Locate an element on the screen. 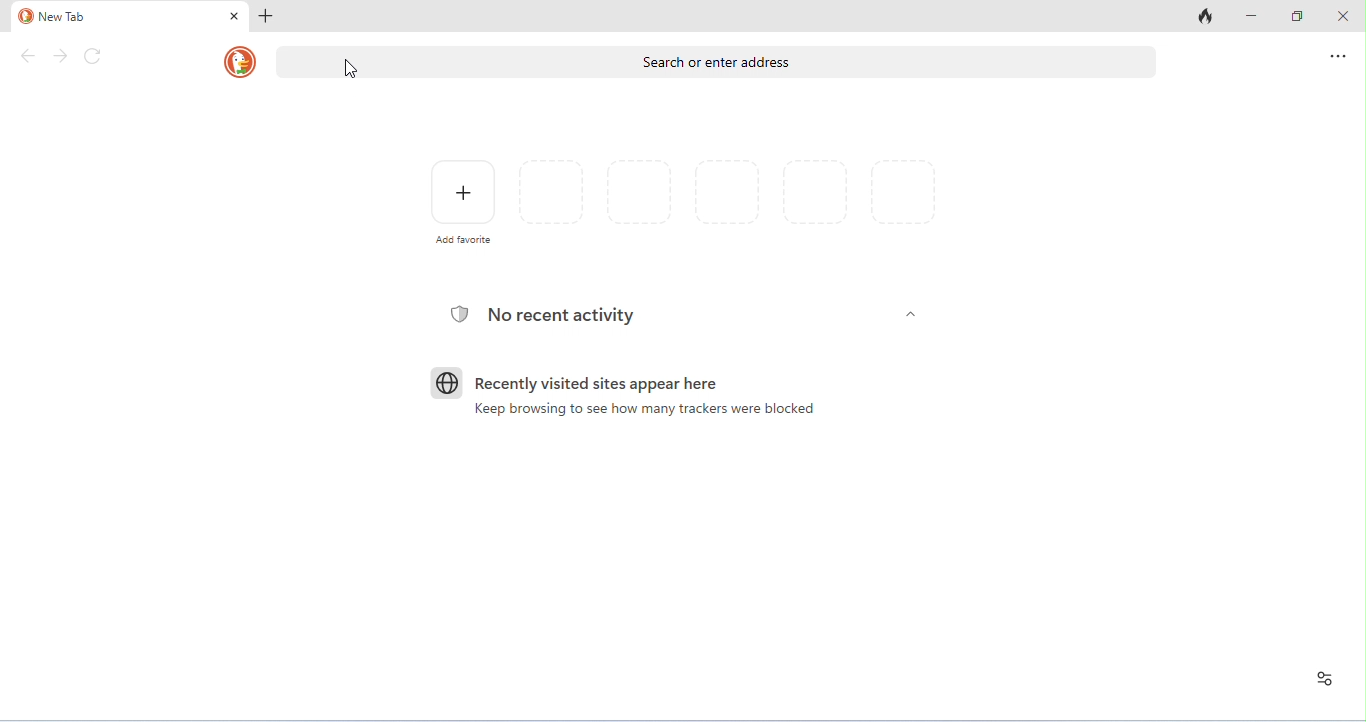 The width and height of the screenshot is (1366, 722). Add favorite is located at coordinates (464, 239).